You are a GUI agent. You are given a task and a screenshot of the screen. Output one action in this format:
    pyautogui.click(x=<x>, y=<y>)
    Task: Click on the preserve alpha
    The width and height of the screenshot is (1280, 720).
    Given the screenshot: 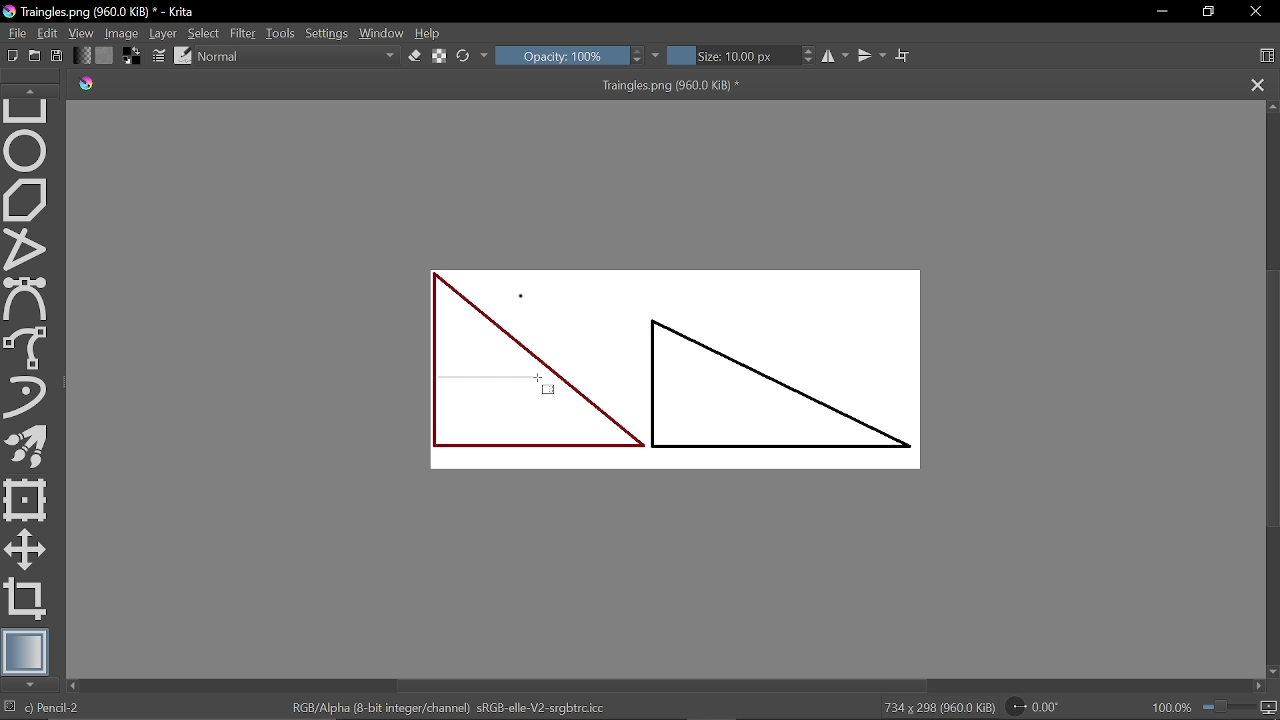 What is the action you would take?
    pyautogui.click(x=440, y=58)
    